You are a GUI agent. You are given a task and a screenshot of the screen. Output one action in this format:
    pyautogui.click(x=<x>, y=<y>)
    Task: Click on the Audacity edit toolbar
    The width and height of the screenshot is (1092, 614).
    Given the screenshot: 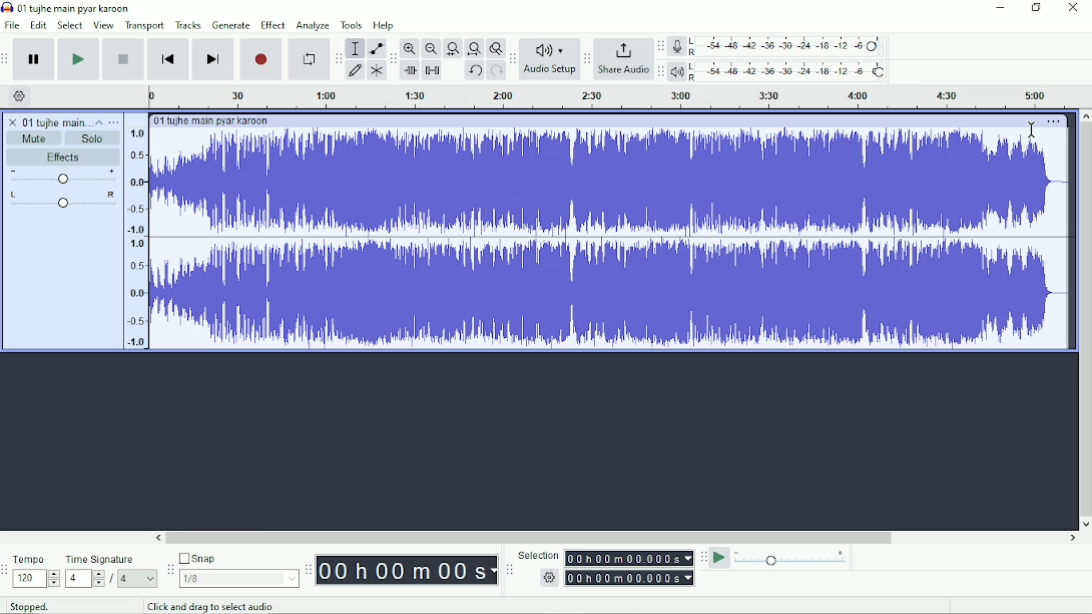 What is the action you would take?
    pyautogui.click(x=391, y=59)
    